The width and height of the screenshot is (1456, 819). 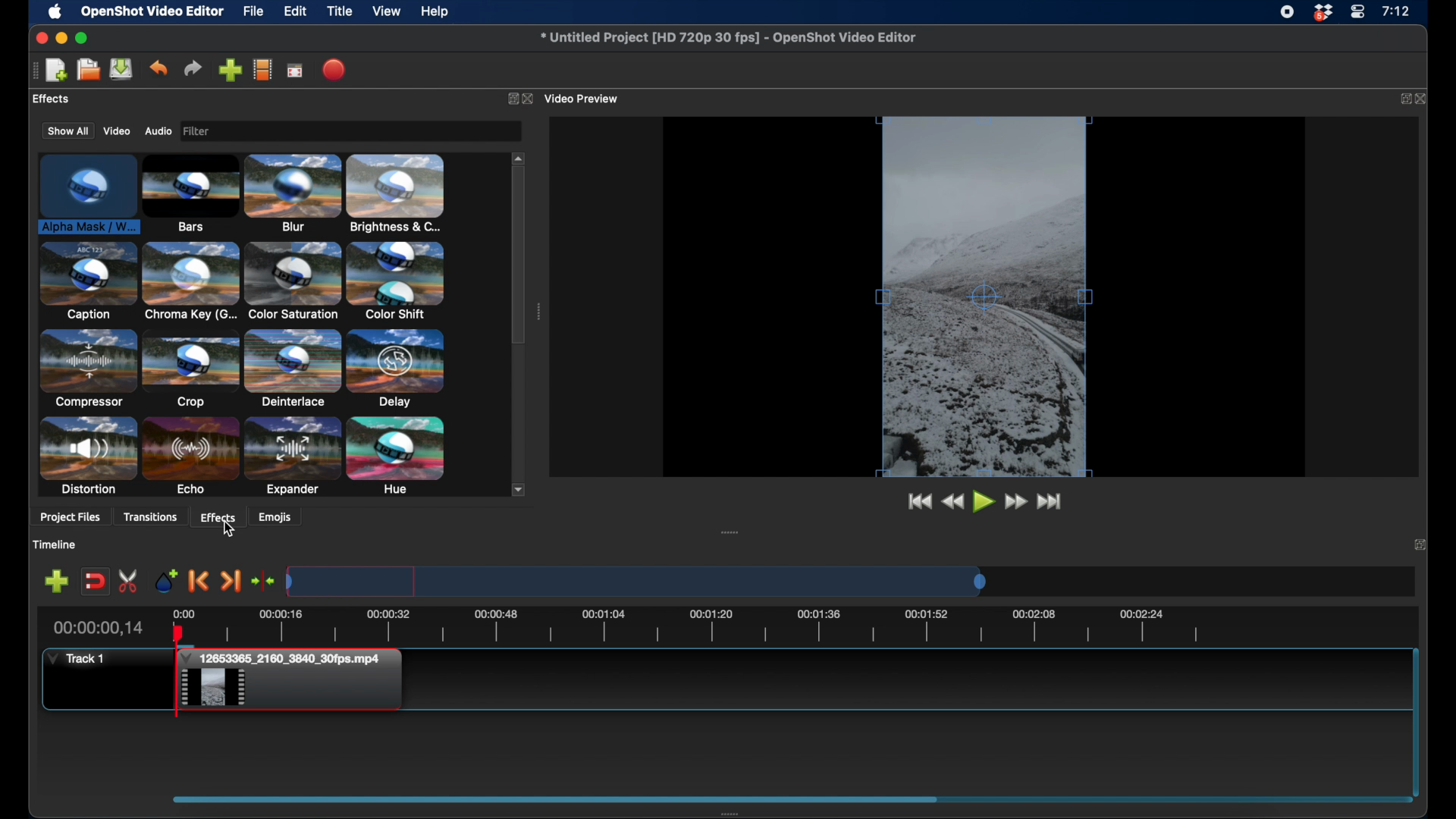 What do you see at coordinates (293, 192) in the screenshot?
I see `blur` at bounding box center [293, 192].